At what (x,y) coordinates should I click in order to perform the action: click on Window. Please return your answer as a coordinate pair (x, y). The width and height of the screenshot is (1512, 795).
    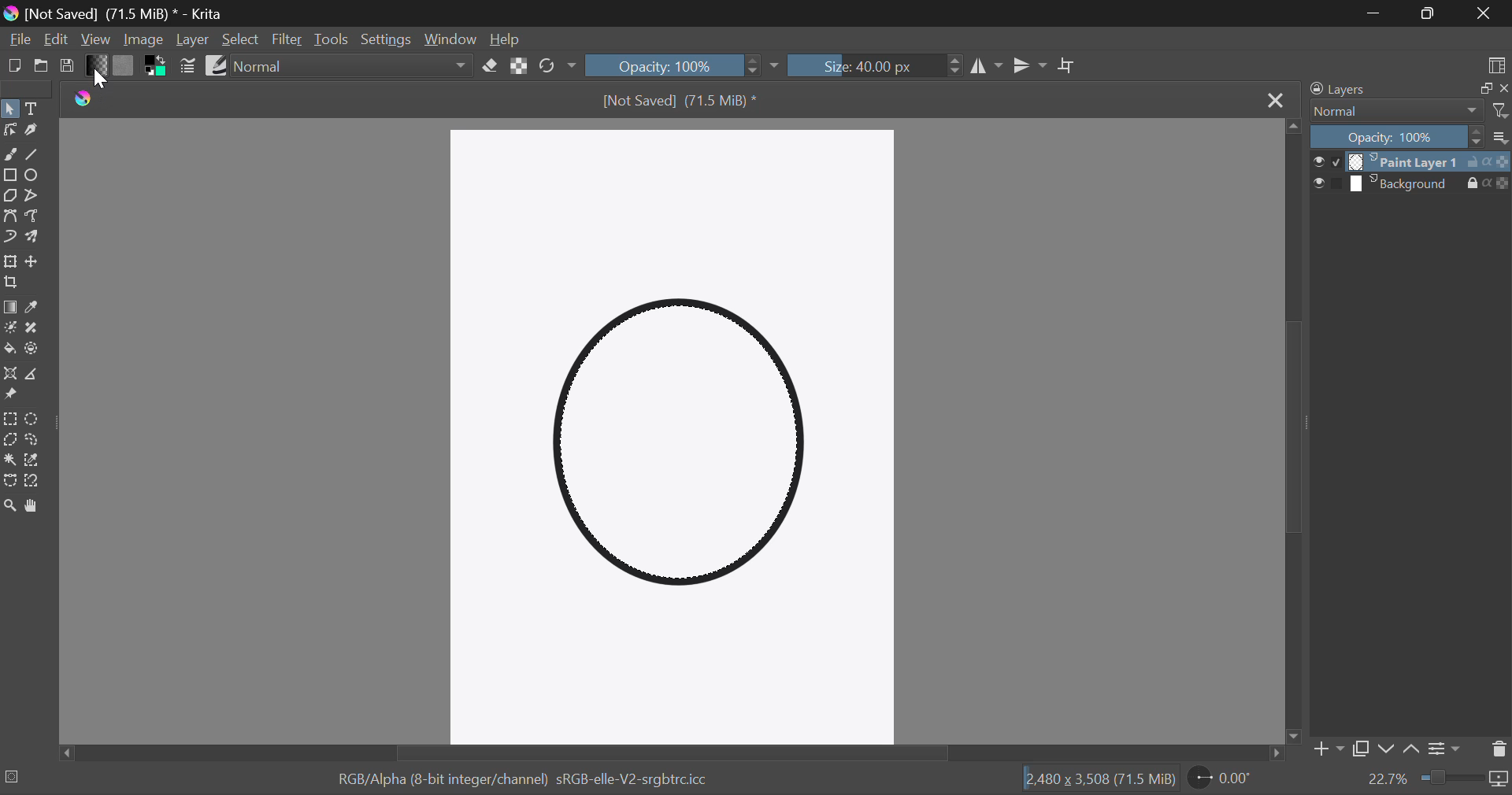
    Looking at the image, I should click on (452, 42).